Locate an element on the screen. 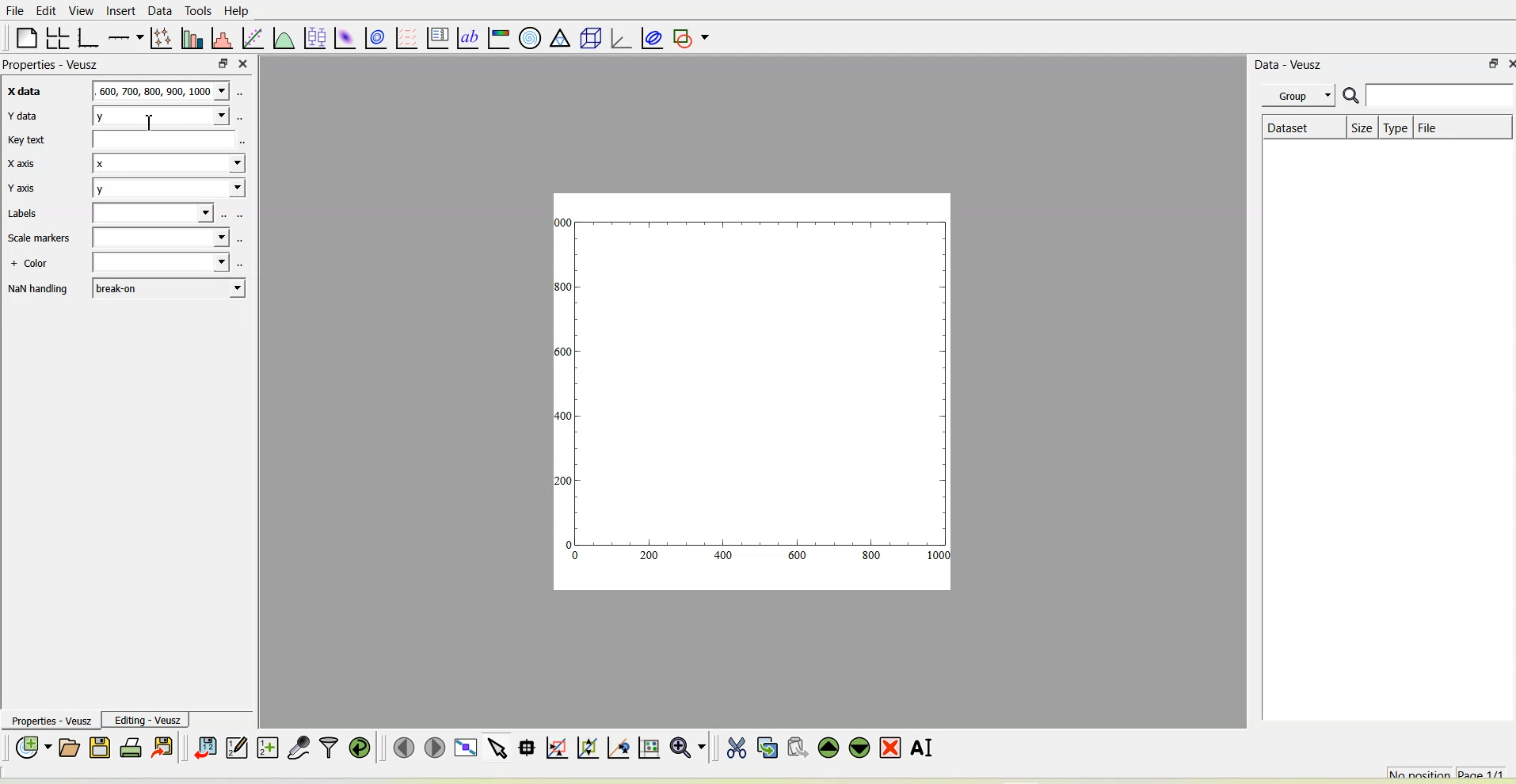 This screenshot has width=1516, height=784. 1600! is located at coordinates (563, 352).